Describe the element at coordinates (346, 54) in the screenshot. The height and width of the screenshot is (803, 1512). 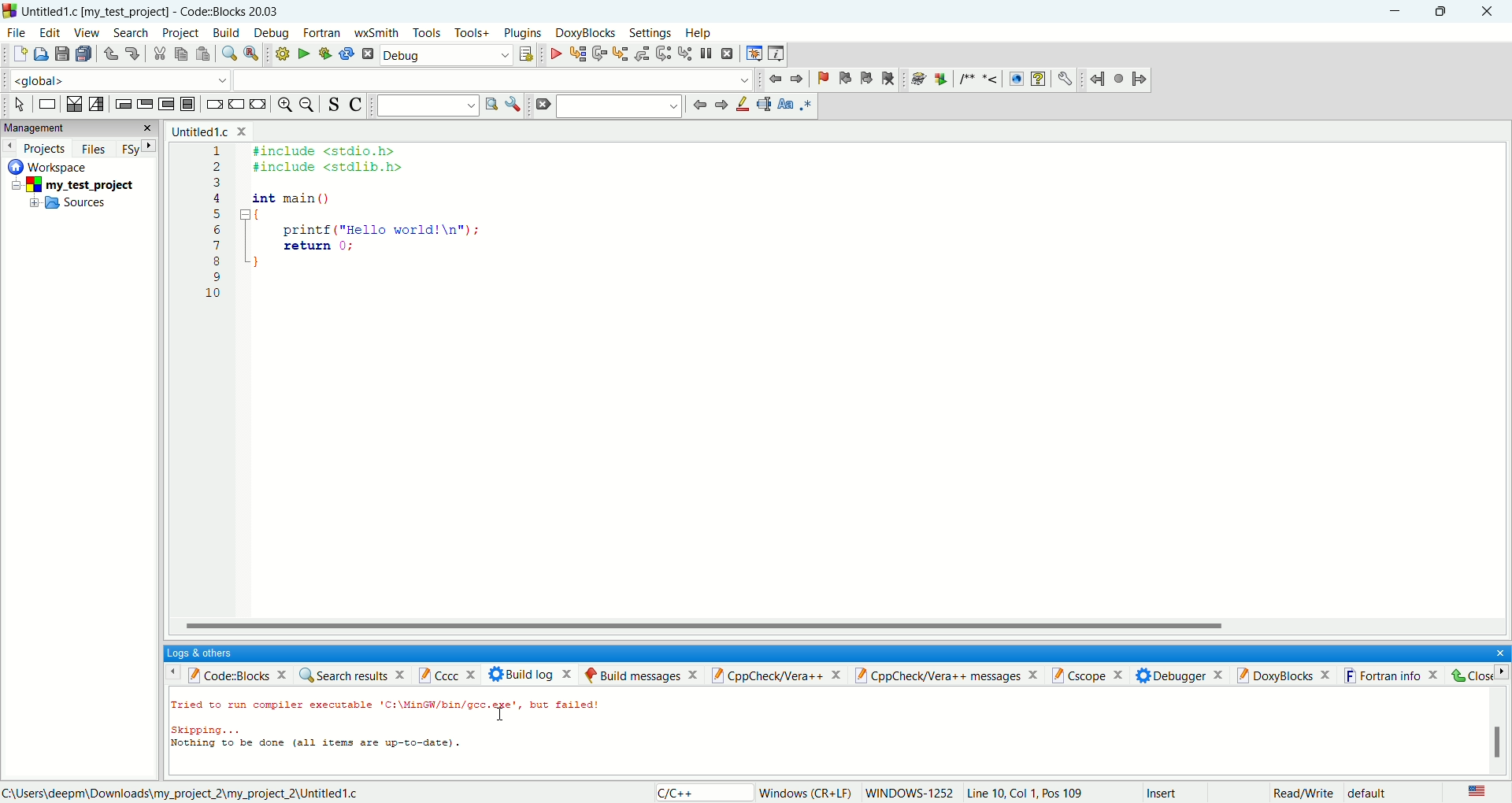
I see `rebuild` at that location.